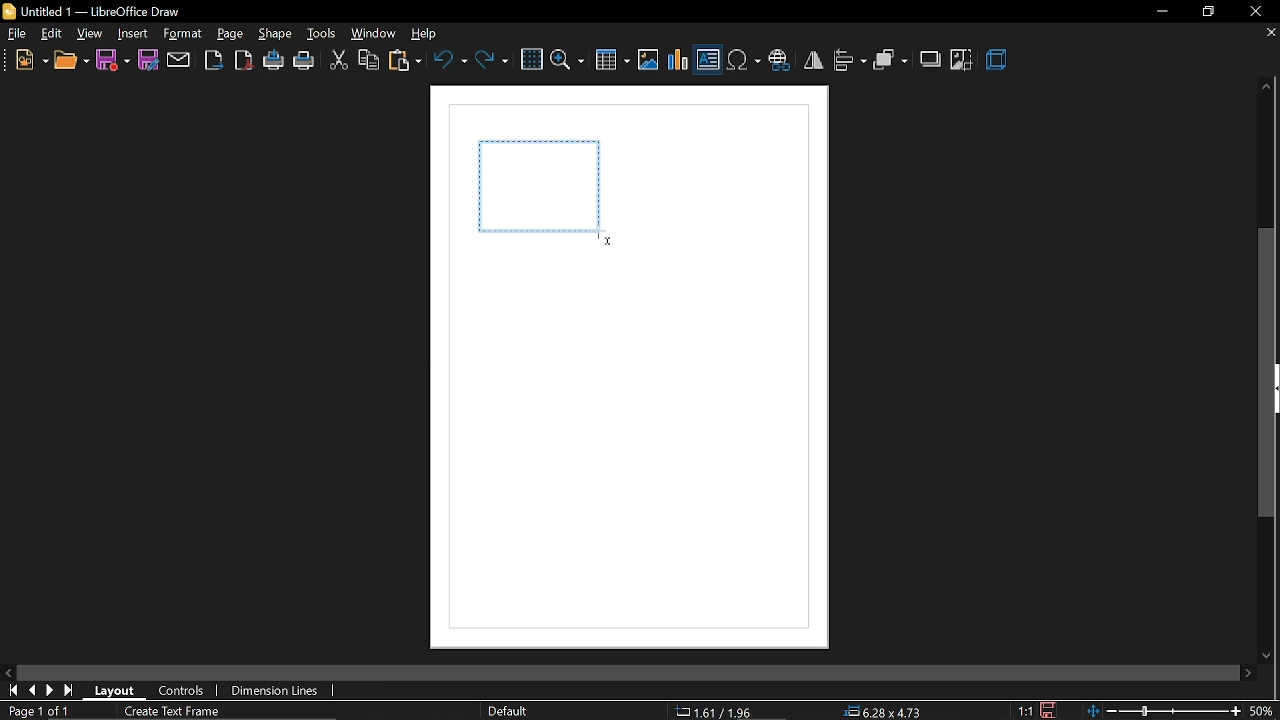 The width and height of the screenshot is (1280, 720). What do you see at coordinates (369, 62) in the screenshot?
I see `copy` at bounding box center [369, 62].